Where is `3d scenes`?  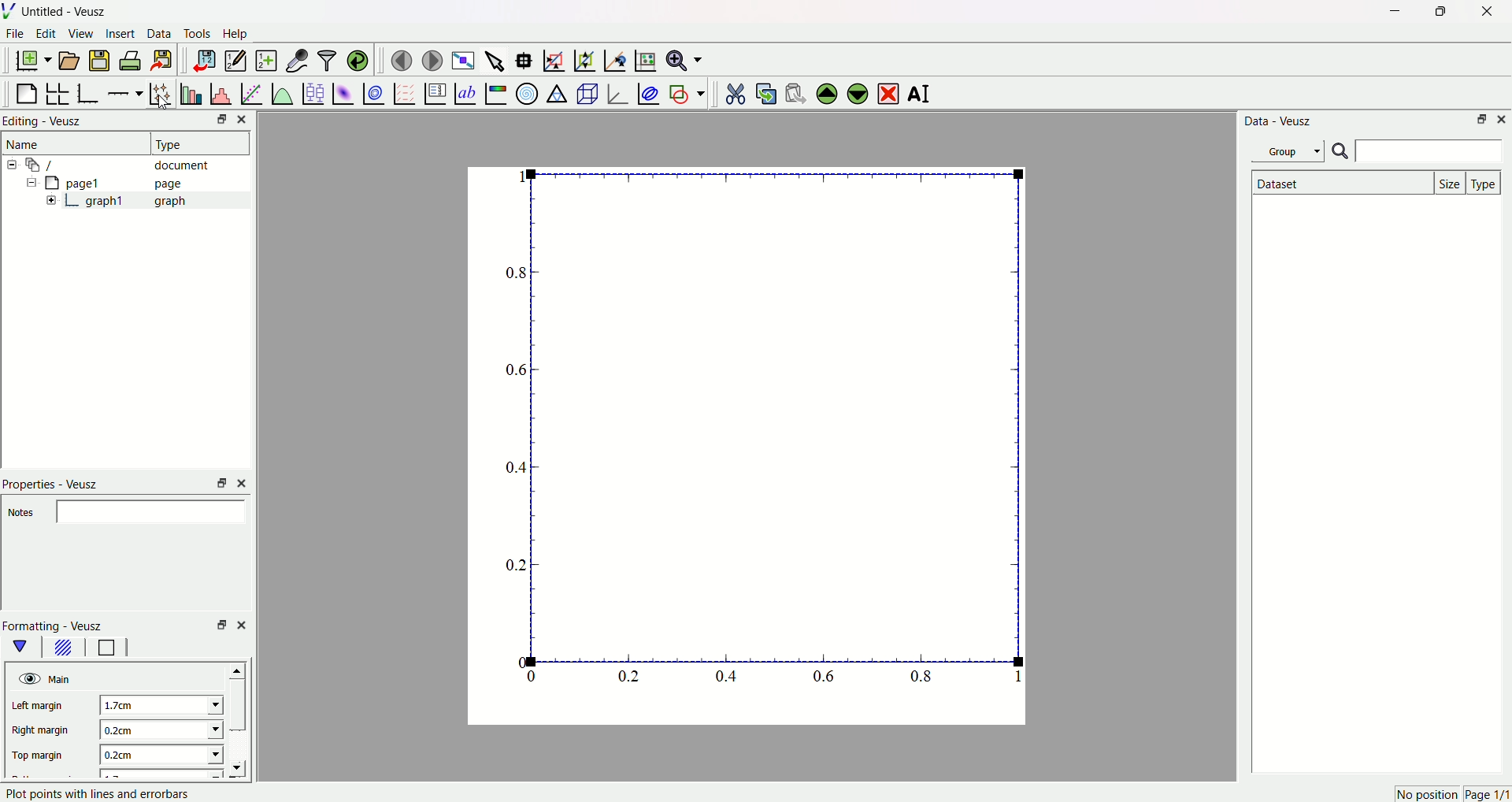 3d scenes is located at coordinates (586, 93).